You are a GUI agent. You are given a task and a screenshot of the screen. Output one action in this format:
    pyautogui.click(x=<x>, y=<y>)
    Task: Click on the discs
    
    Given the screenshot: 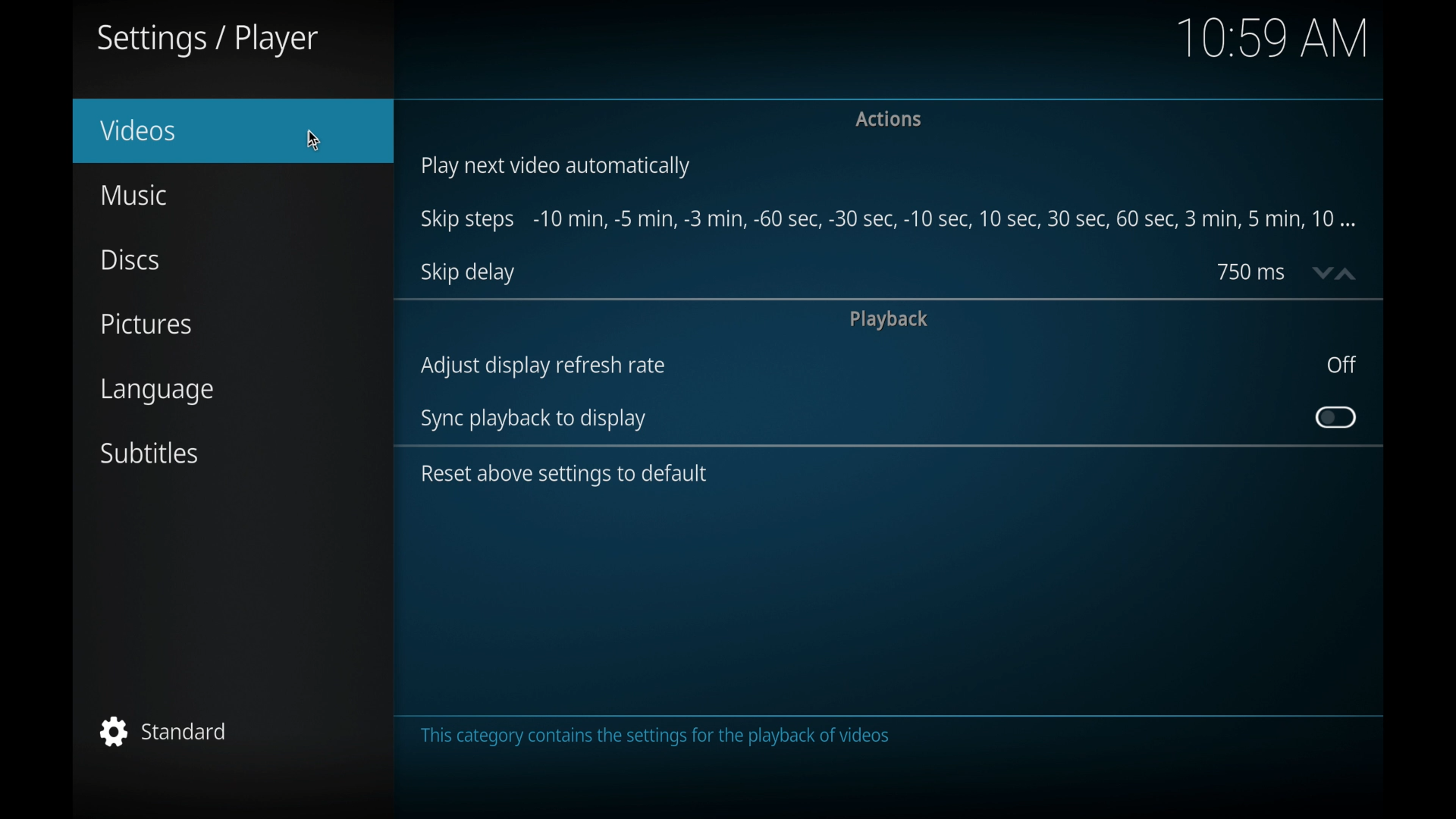 What is the action you would take?
    pyautogui.click(x=133, y=260)
    